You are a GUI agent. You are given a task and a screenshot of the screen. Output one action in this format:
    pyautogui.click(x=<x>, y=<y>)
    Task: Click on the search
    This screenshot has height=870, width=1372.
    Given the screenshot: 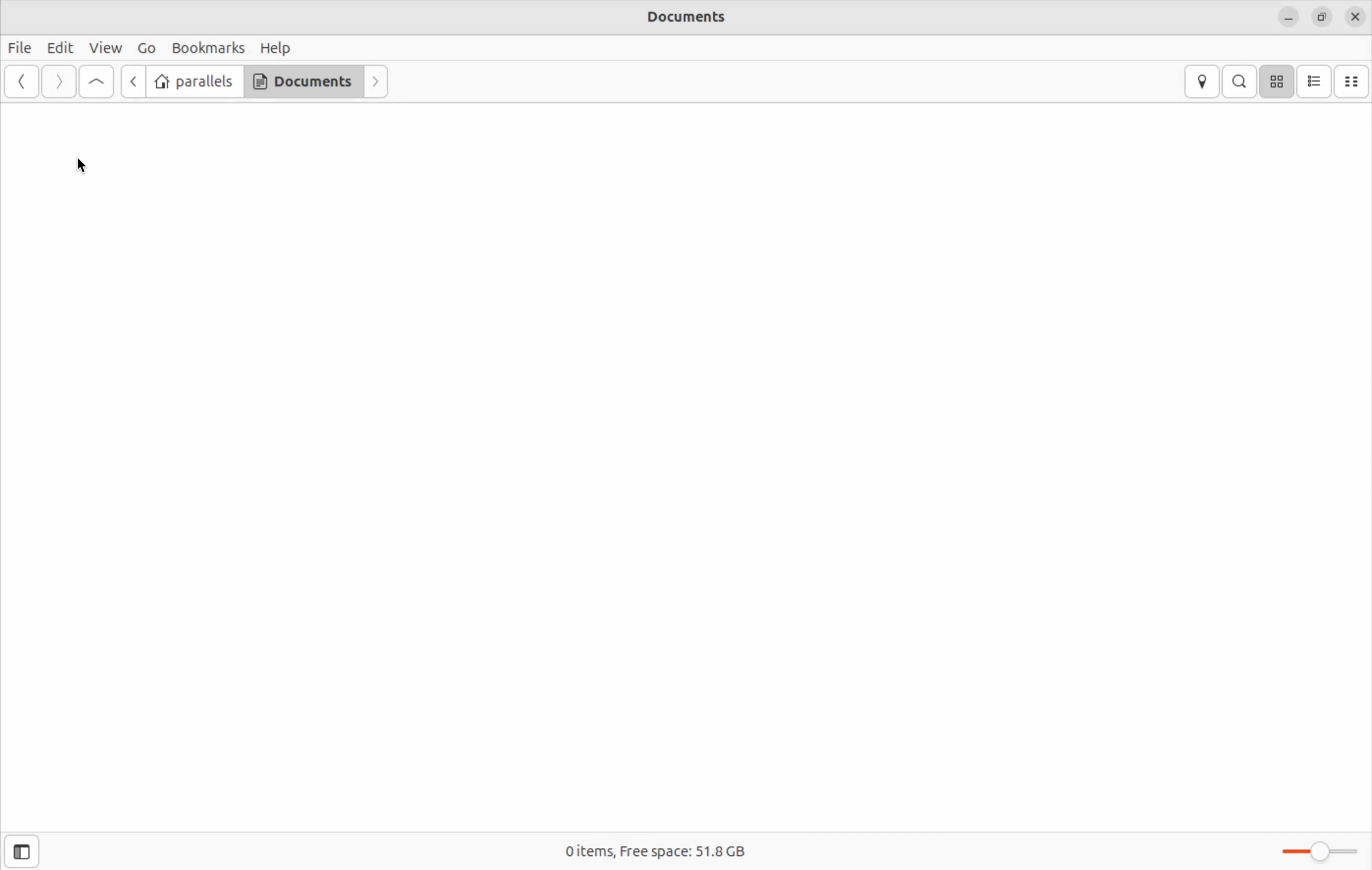 What is the action you would take?
    pyautogui.click(x=1243, y=80)
    